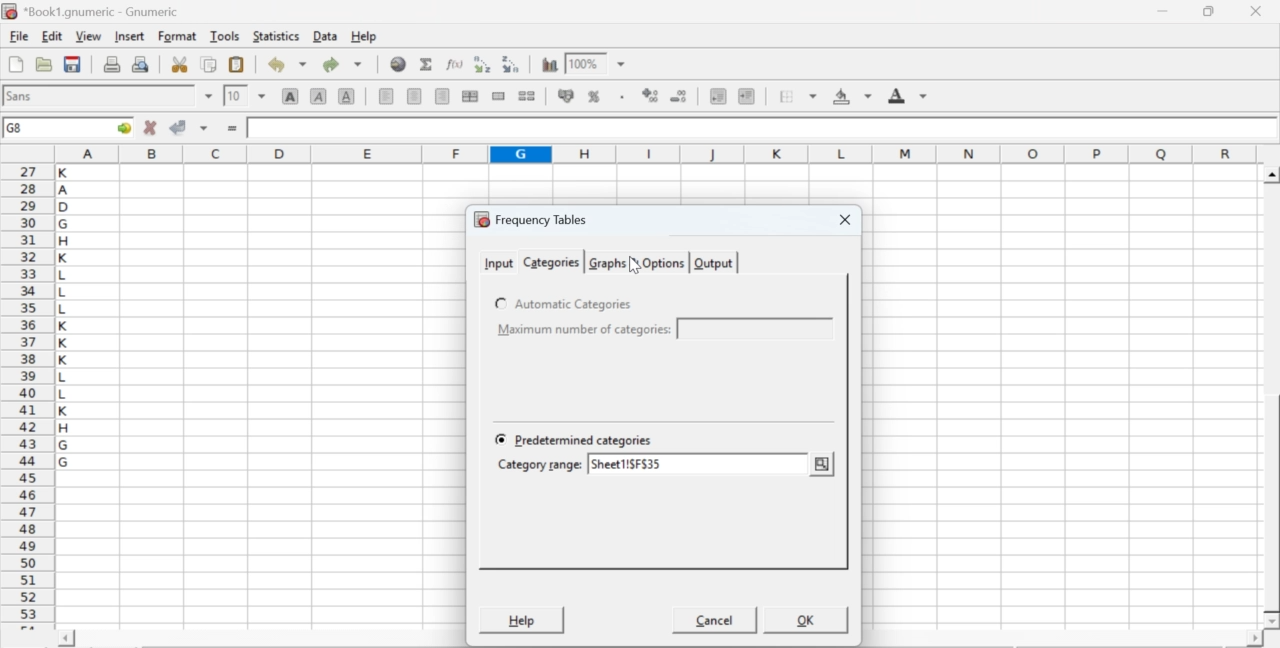 The height and width of the screenshot is (648, 1280). I want to click on minimize, so click(1164, 11).